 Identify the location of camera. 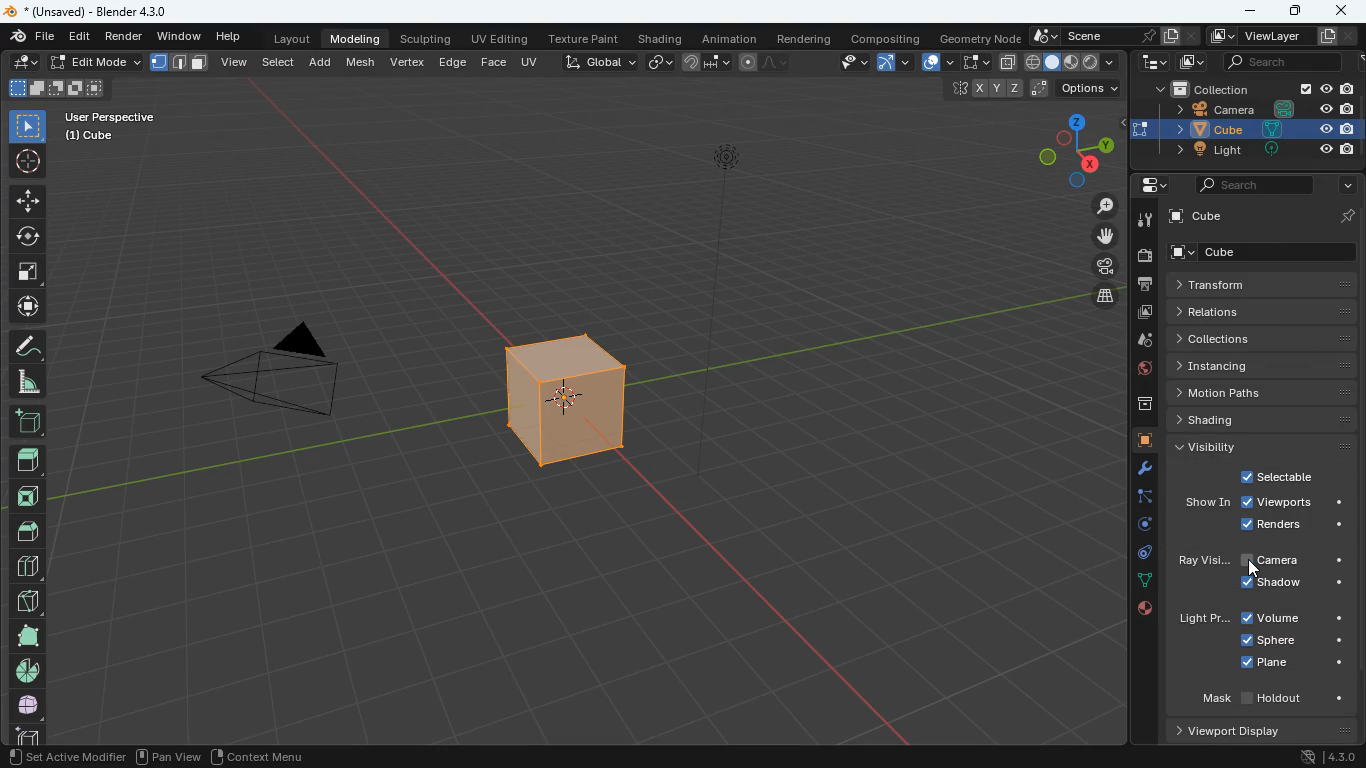
(280, 374).